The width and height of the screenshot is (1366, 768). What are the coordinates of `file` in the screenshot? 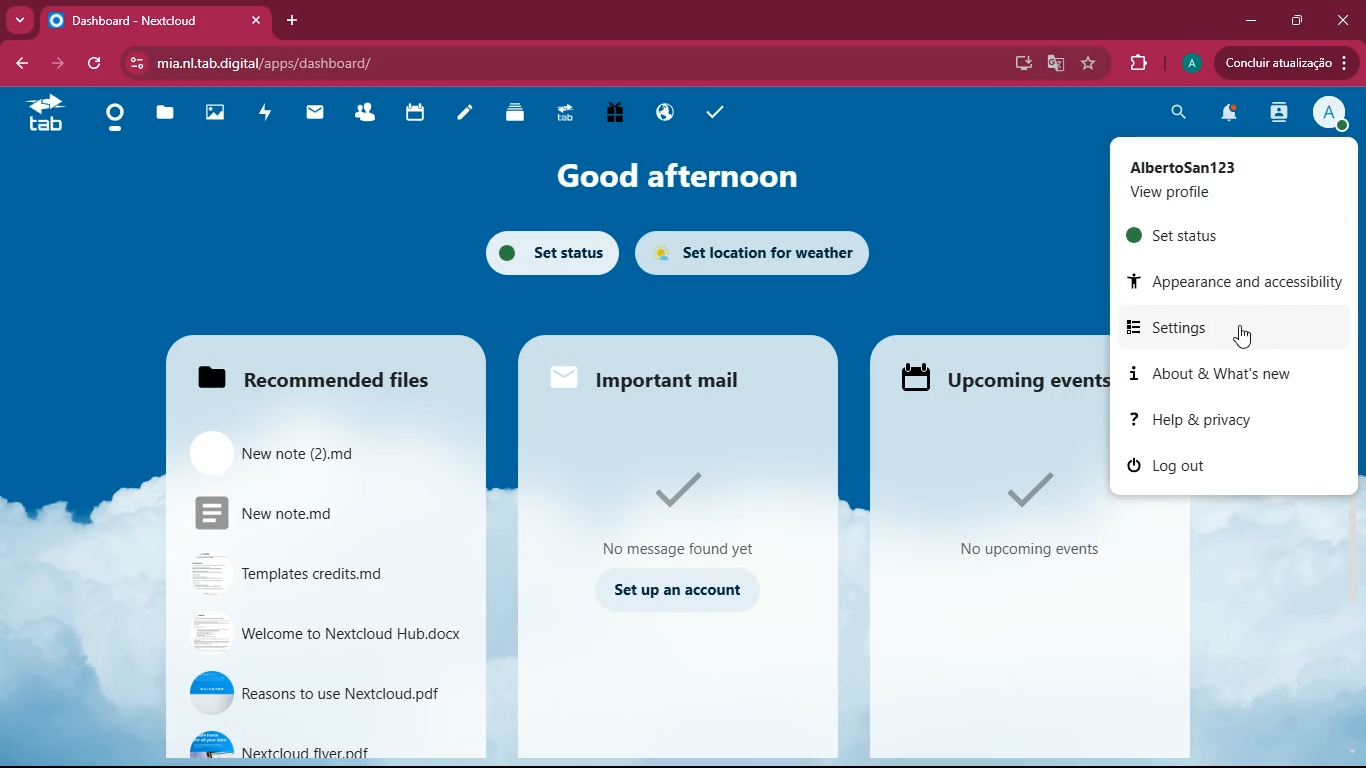 It's located at (325, 691).